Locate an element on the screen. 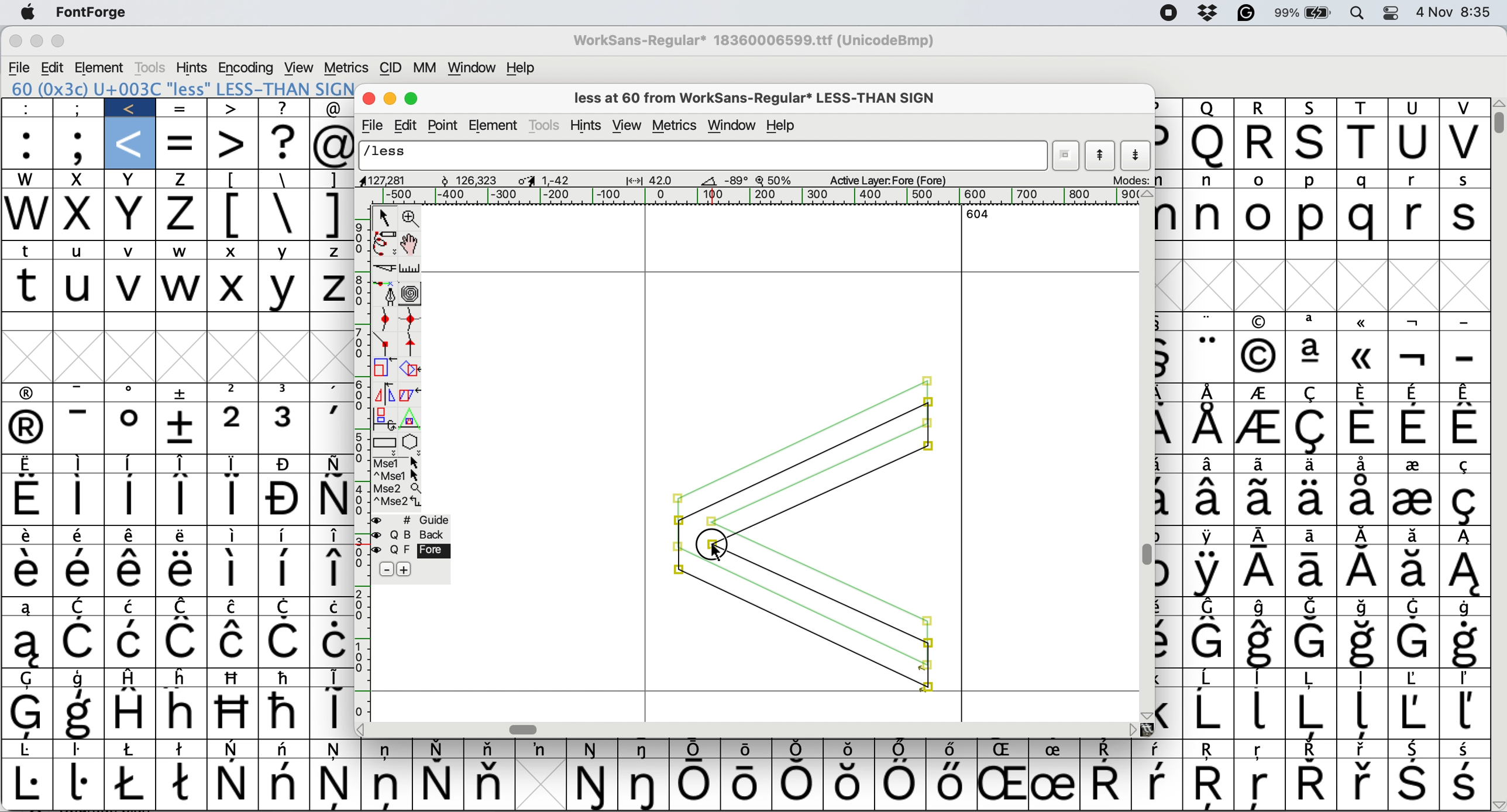  Symbol is located at coordinates (285, 783).